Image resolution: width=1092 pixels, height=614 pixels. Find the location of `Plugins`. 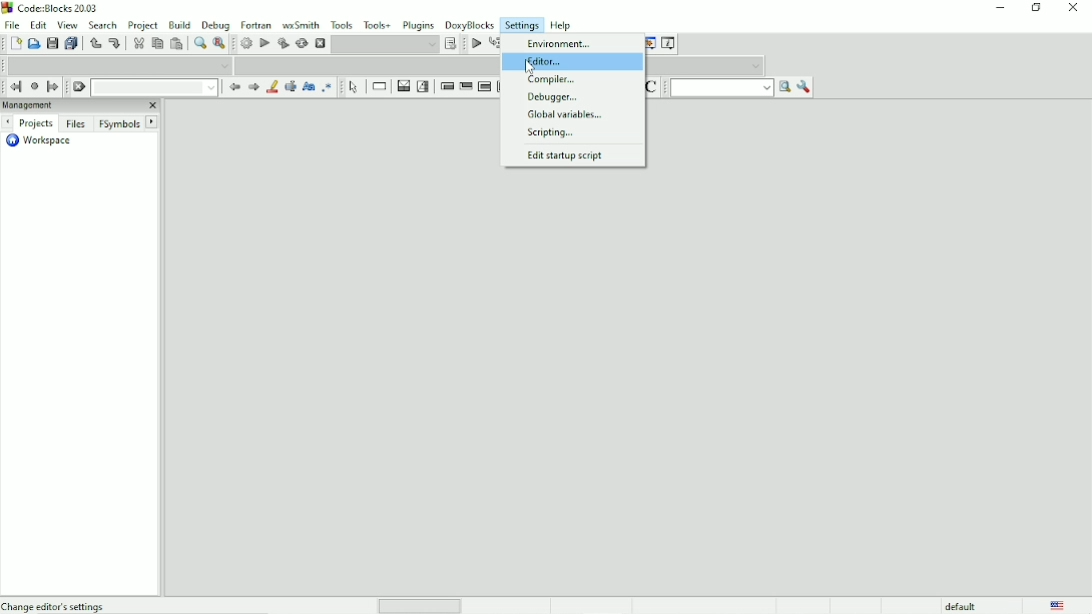

Plugins is located at coordinates (420, 25).